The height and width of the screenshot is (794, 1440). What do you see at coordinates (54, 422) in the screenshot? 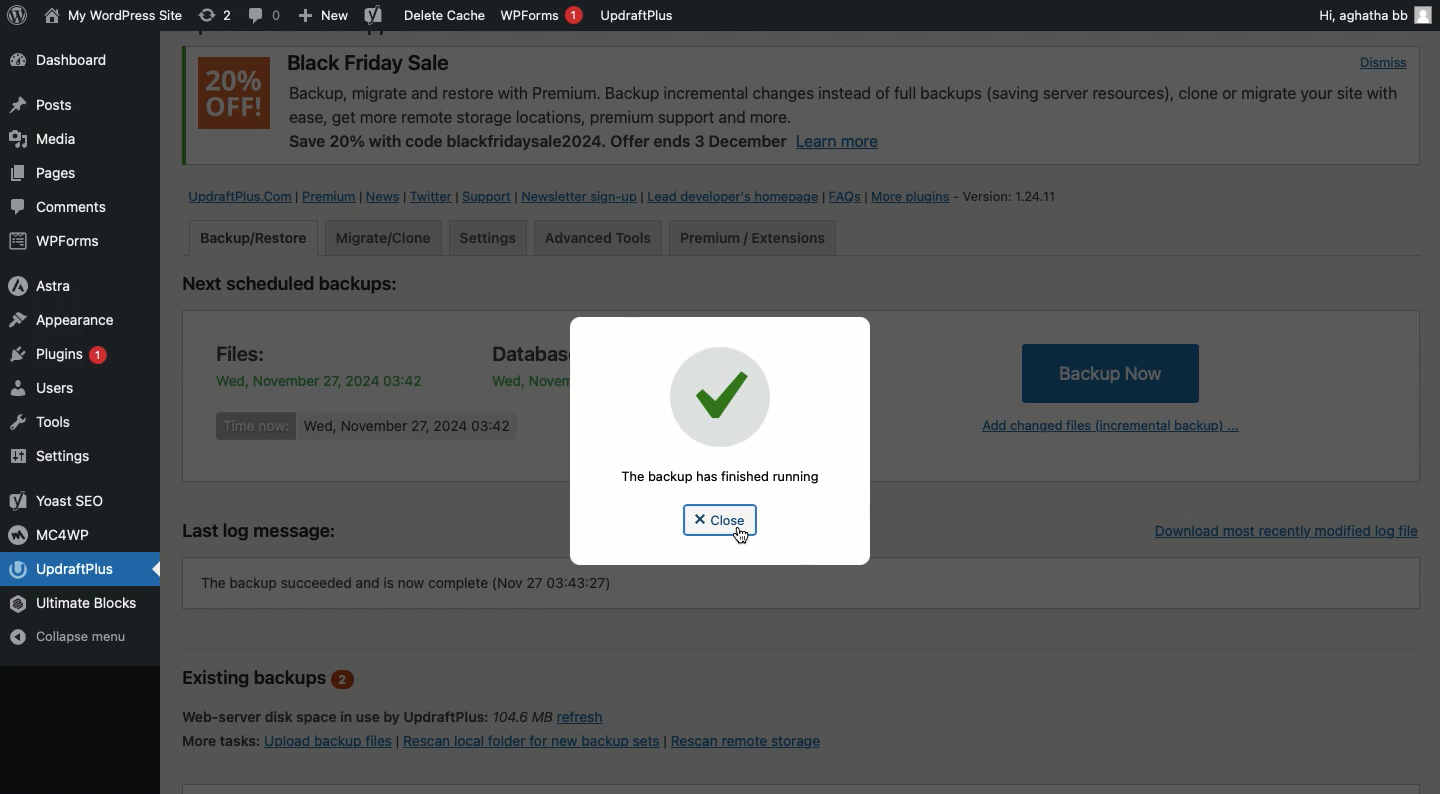
I see `Tools` at bounding box center [54, 422].